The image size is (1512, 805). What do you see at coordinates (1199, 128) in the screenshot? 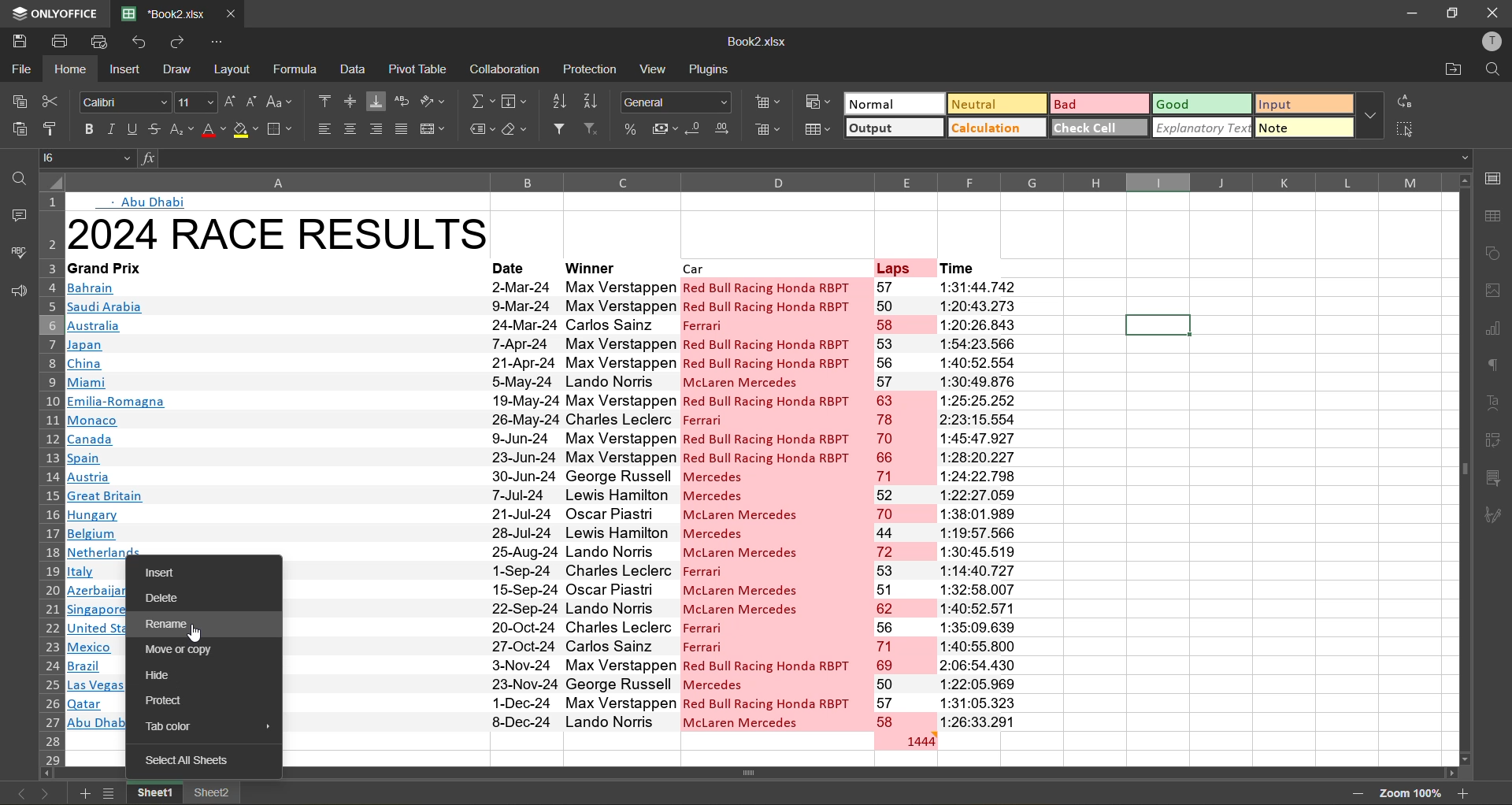
I see `explanatory text` at bounding box center [1199, 128].